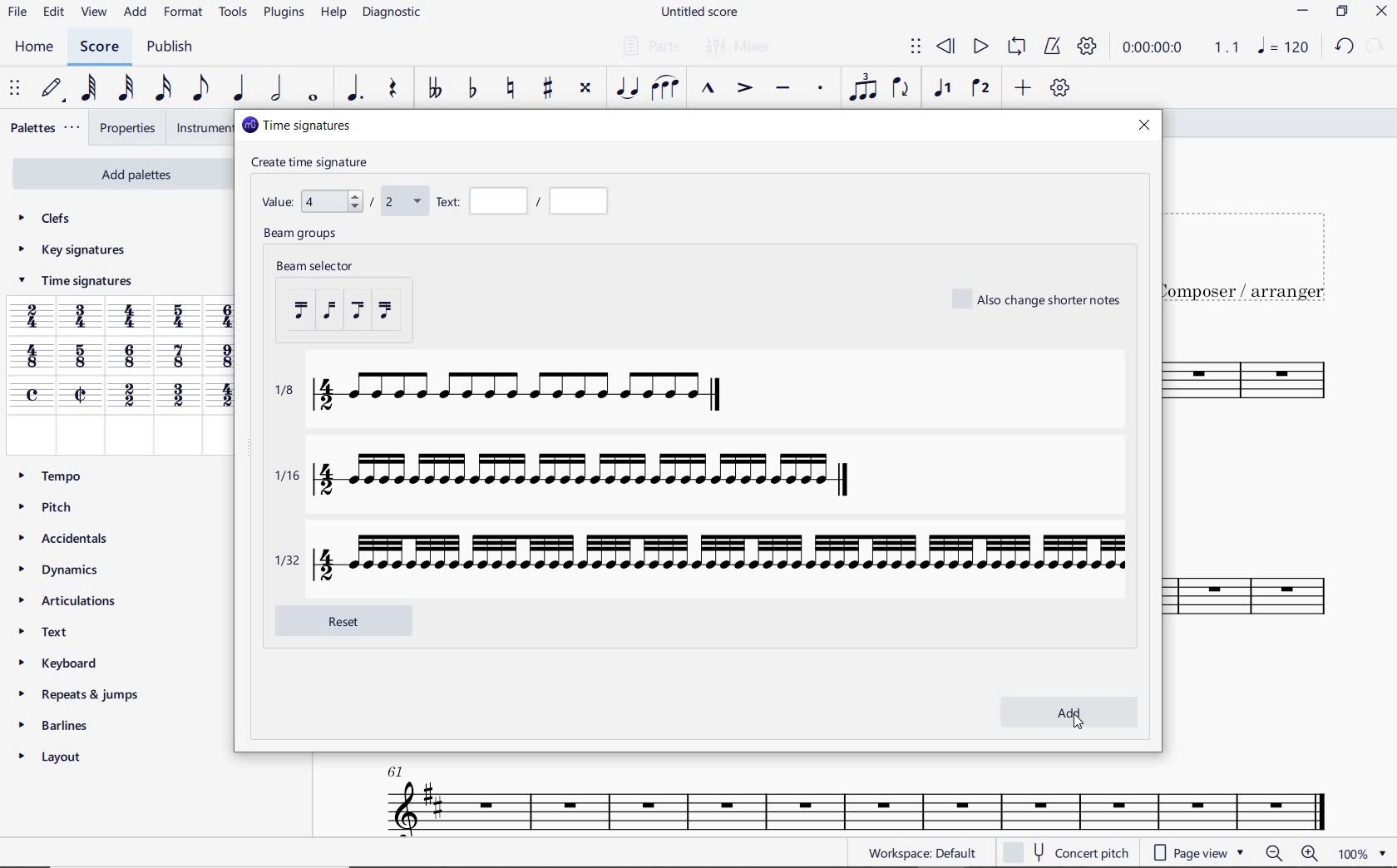  Describe the element at coordinates (545, 90) in the screenshot. I see `TOGGLE SHARP` at that location.